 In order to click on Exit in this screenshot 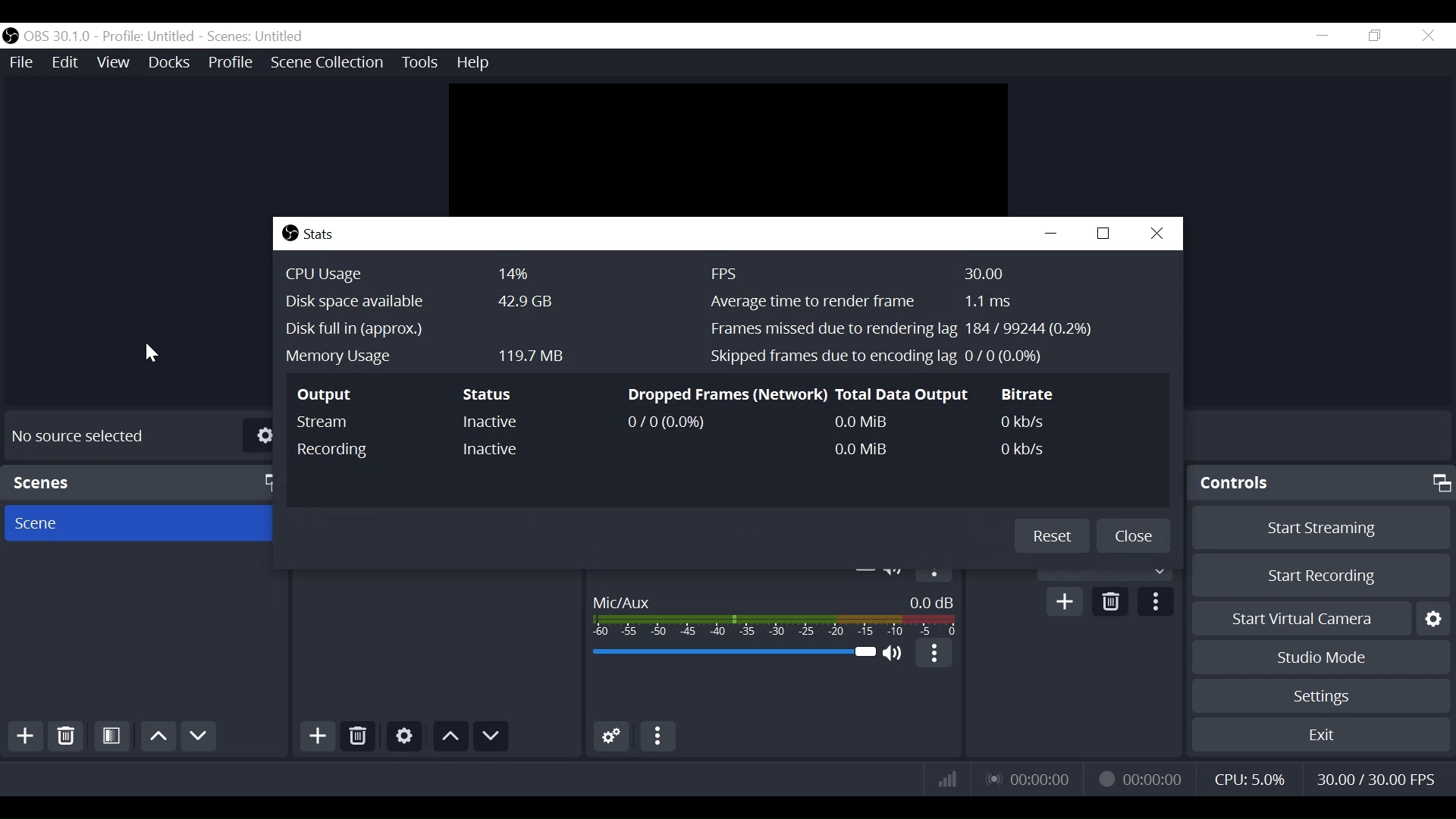, I will do `click(1320, 736)`.